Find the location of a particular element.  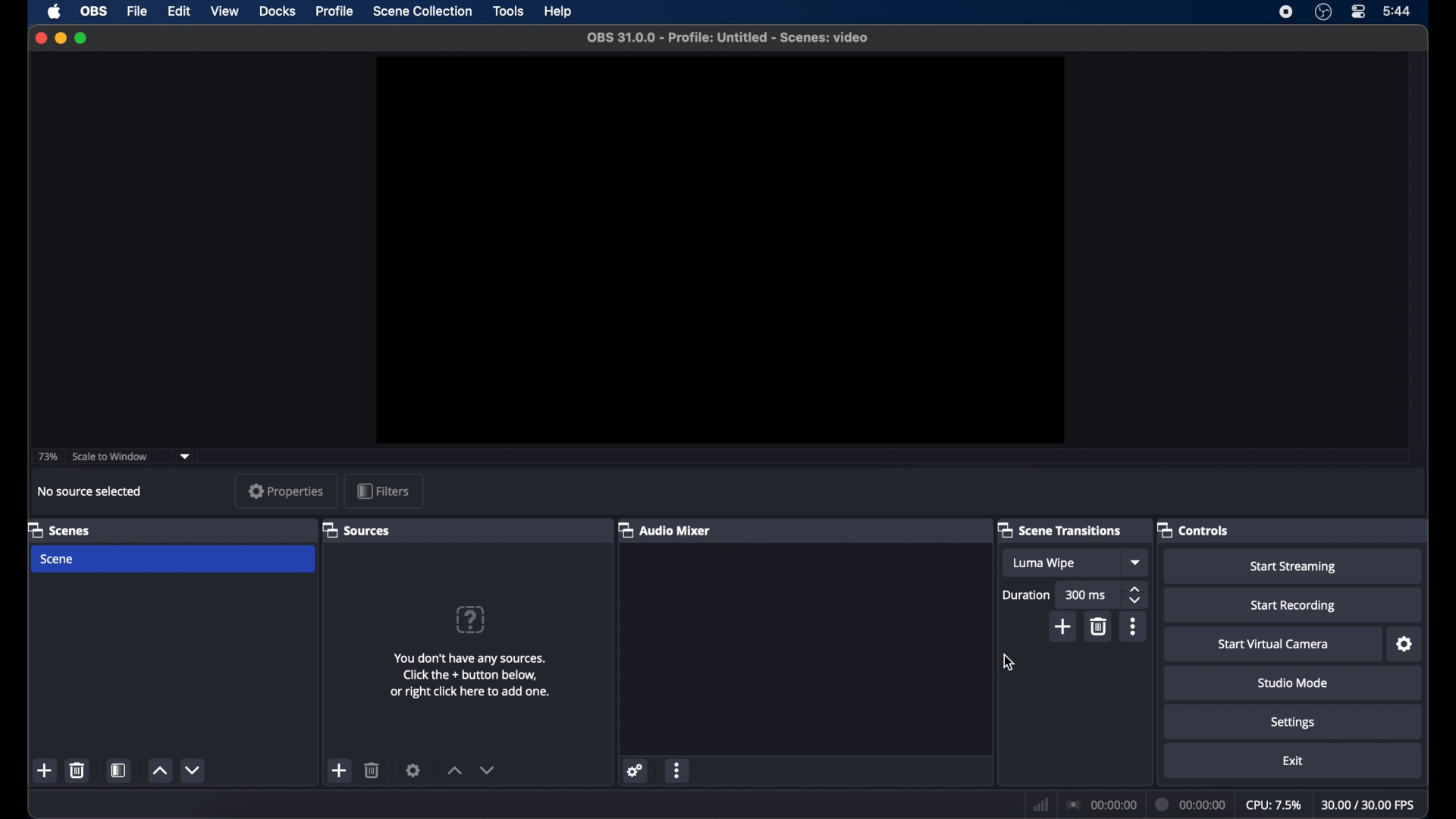

scale to window is located at coordinates (110, 455).